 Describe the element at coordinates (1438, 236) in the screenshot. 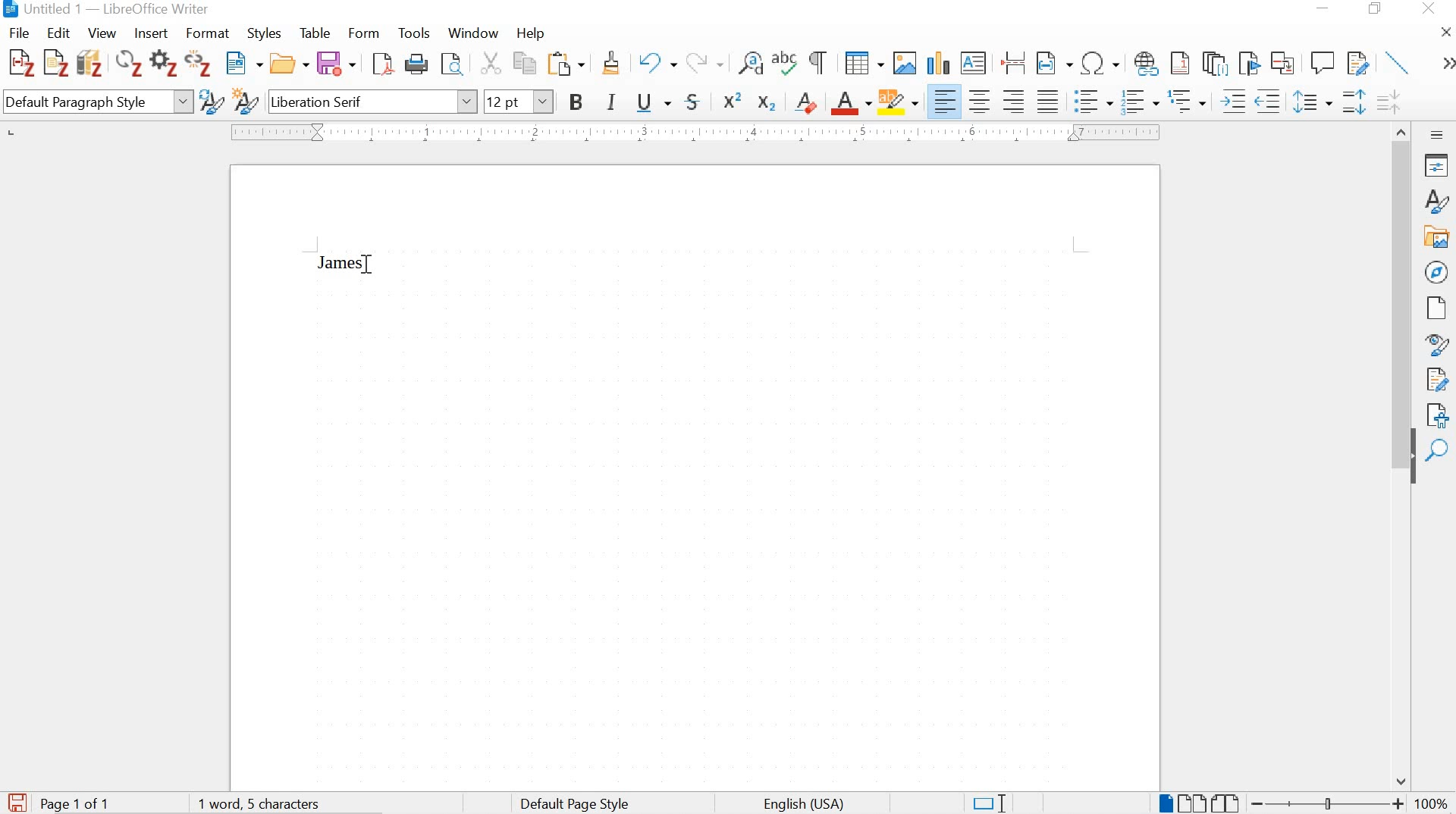

I see `gallery` at that location.